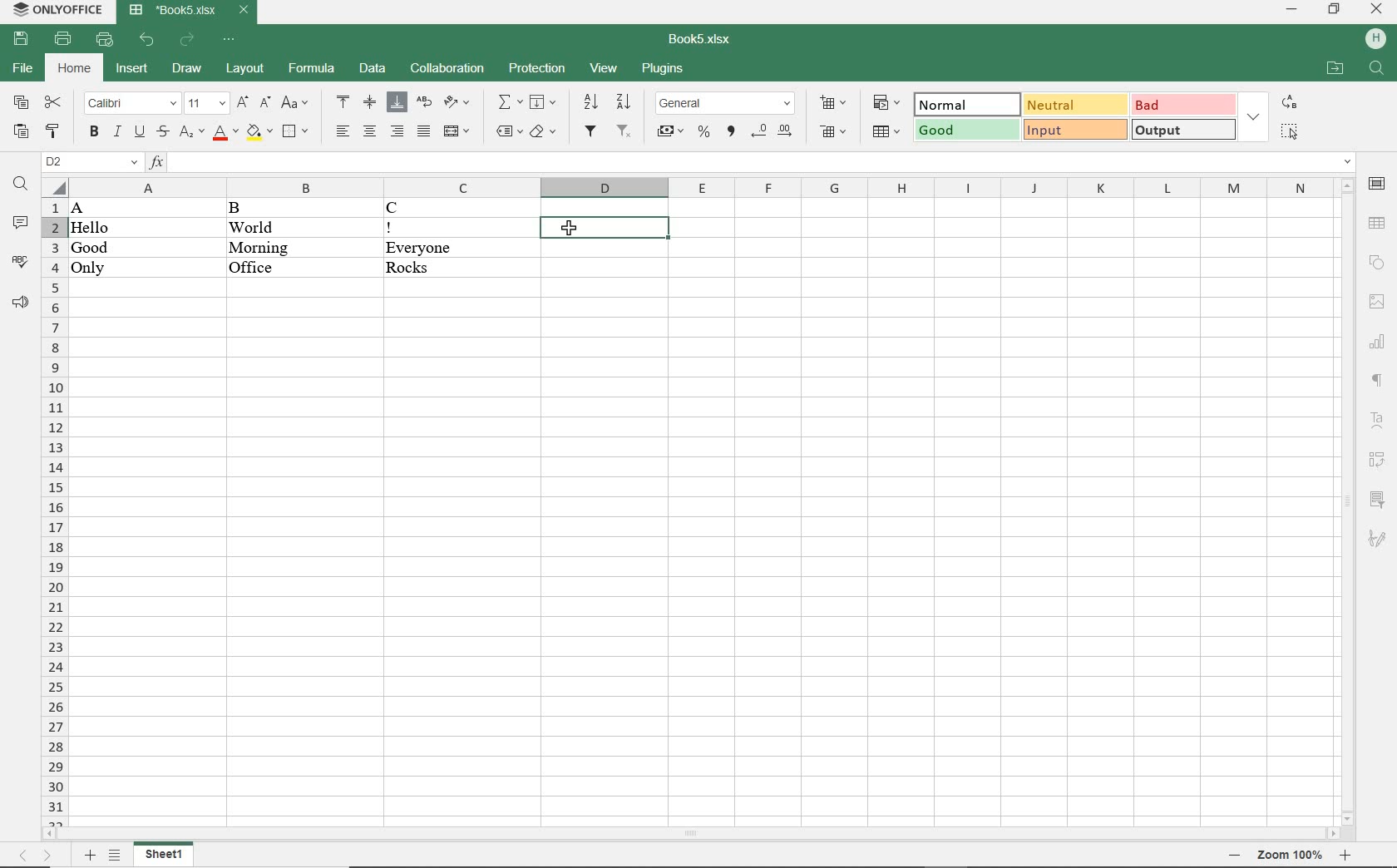 The width and height of the screenshot is (1397, 868). Describe the element at coordinates (63, 40) in the screenshot. I see `PRINT` at that location.